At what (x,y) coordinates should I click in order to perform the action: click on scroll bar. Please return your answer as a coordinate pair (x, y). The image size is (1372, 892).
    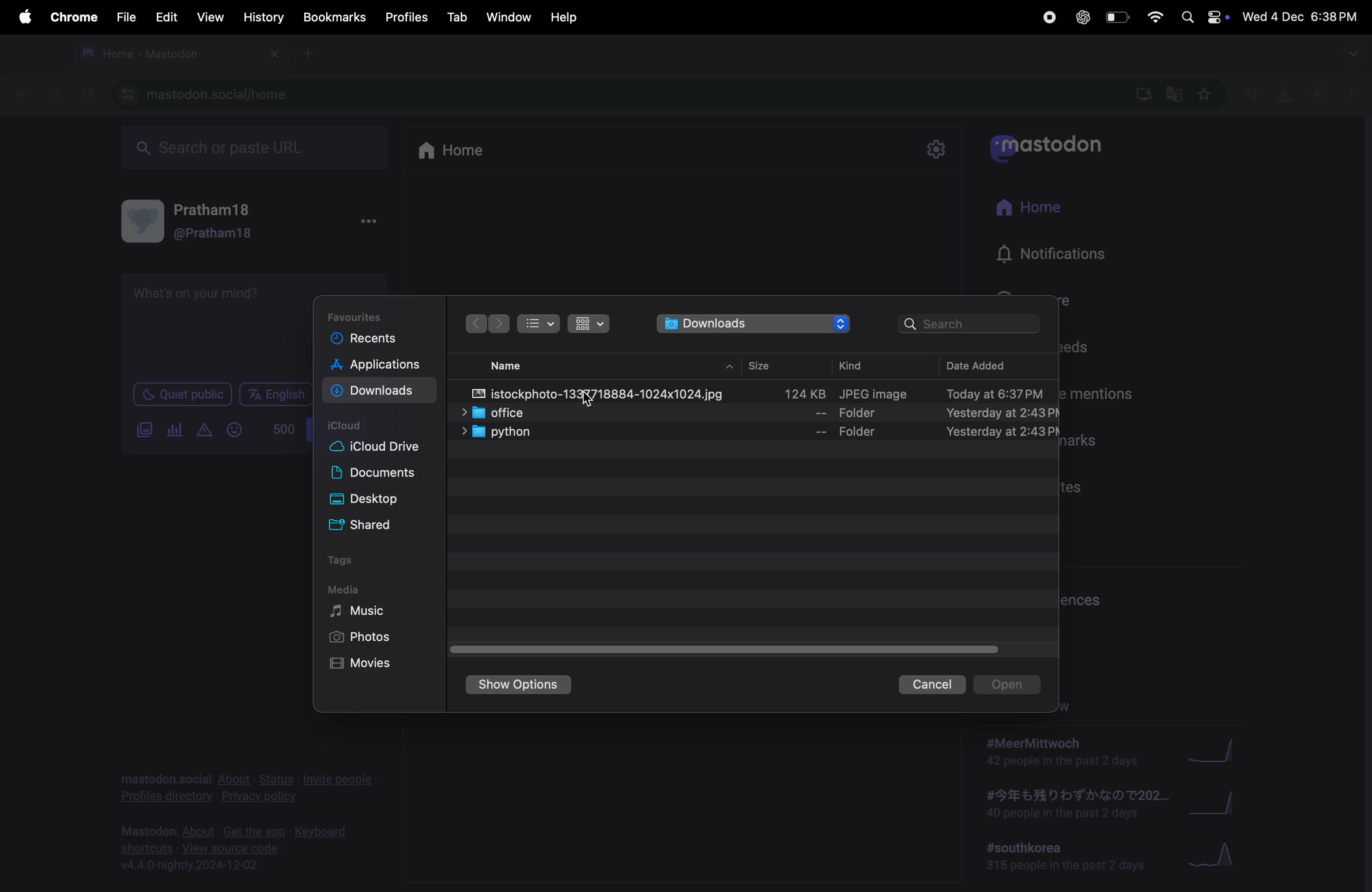
    Looking at the image, I should click on (720, 647).